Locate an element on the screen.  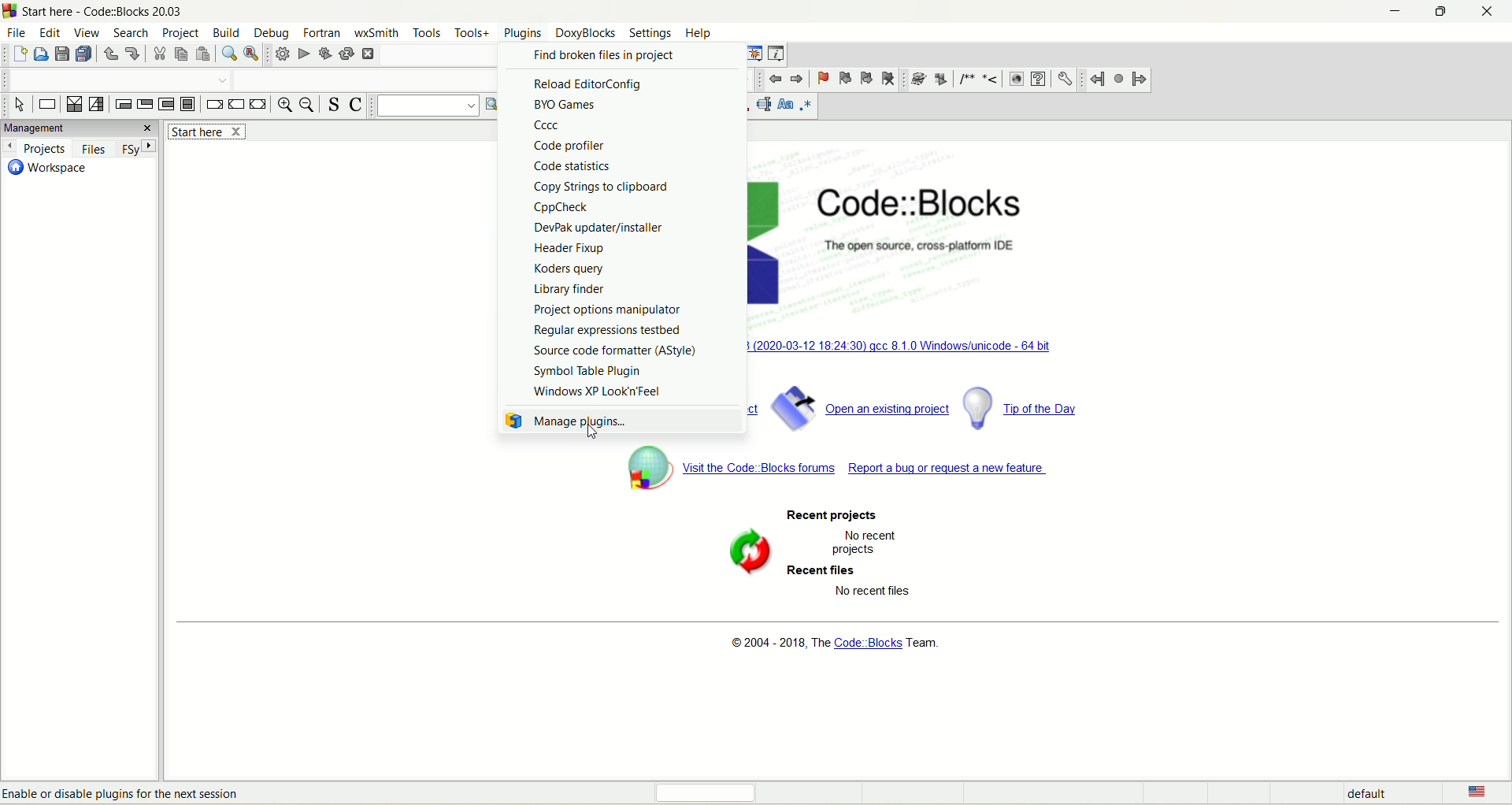
clear bookmark is located at coordinates (888, 78).